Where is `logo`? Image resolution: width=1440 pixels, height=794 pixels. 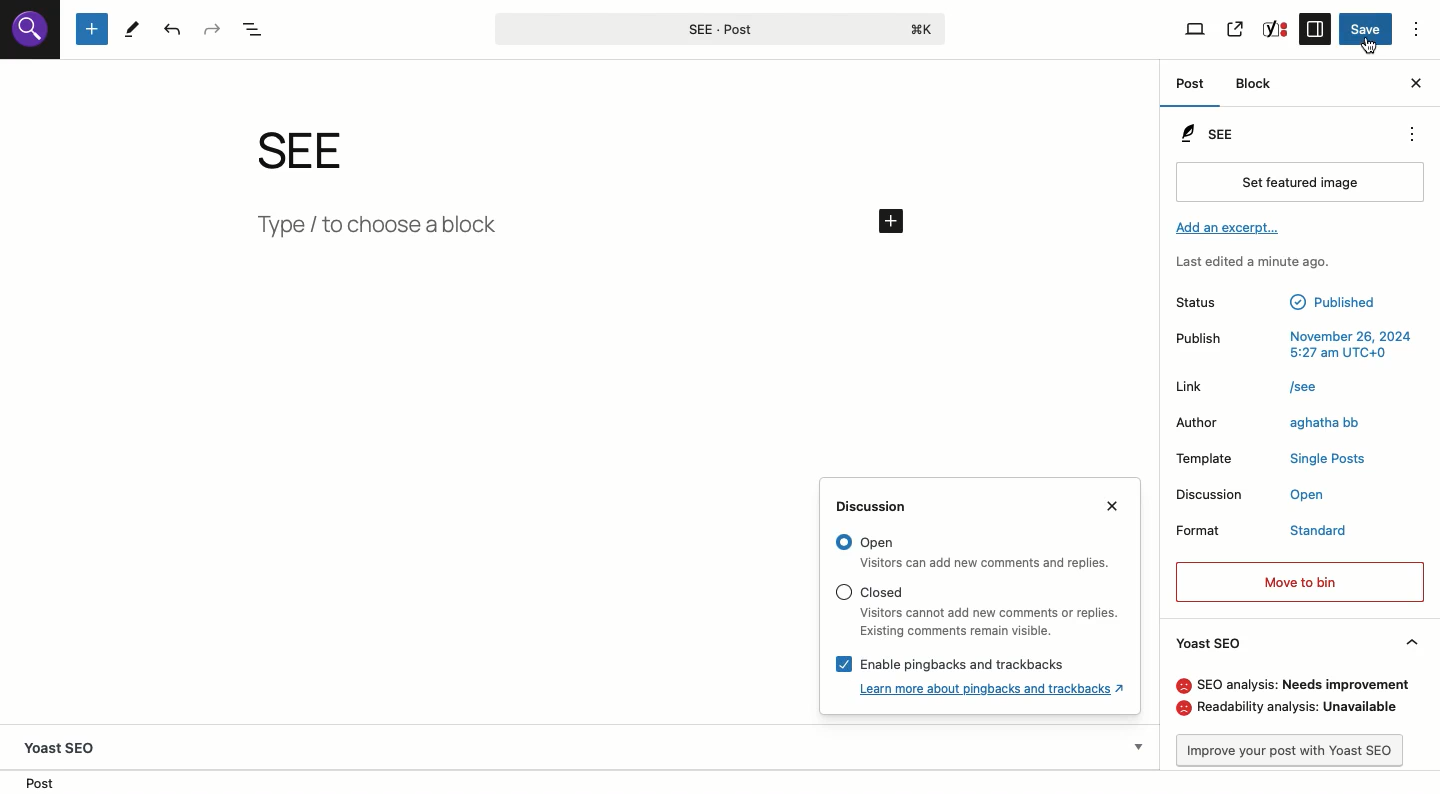
logo is located at coordinates (29, 35).